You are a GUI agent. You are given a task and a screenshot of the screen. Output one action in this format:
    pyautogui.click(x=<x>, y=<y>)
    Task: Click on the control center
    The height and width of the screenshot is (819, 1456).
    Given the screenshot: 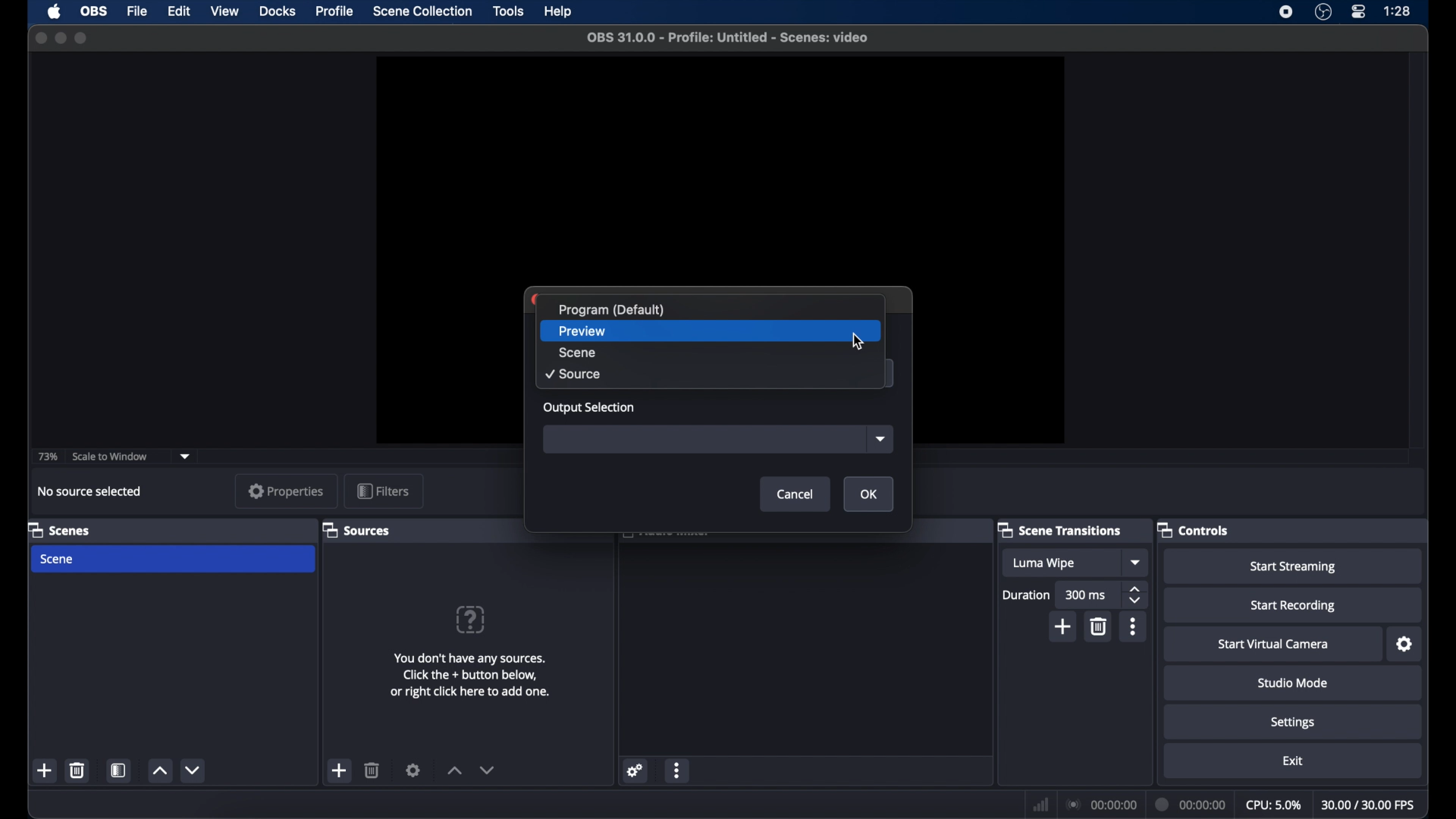 What is the action you would take?
    pyautogui.click(x=1359, y=12)
    